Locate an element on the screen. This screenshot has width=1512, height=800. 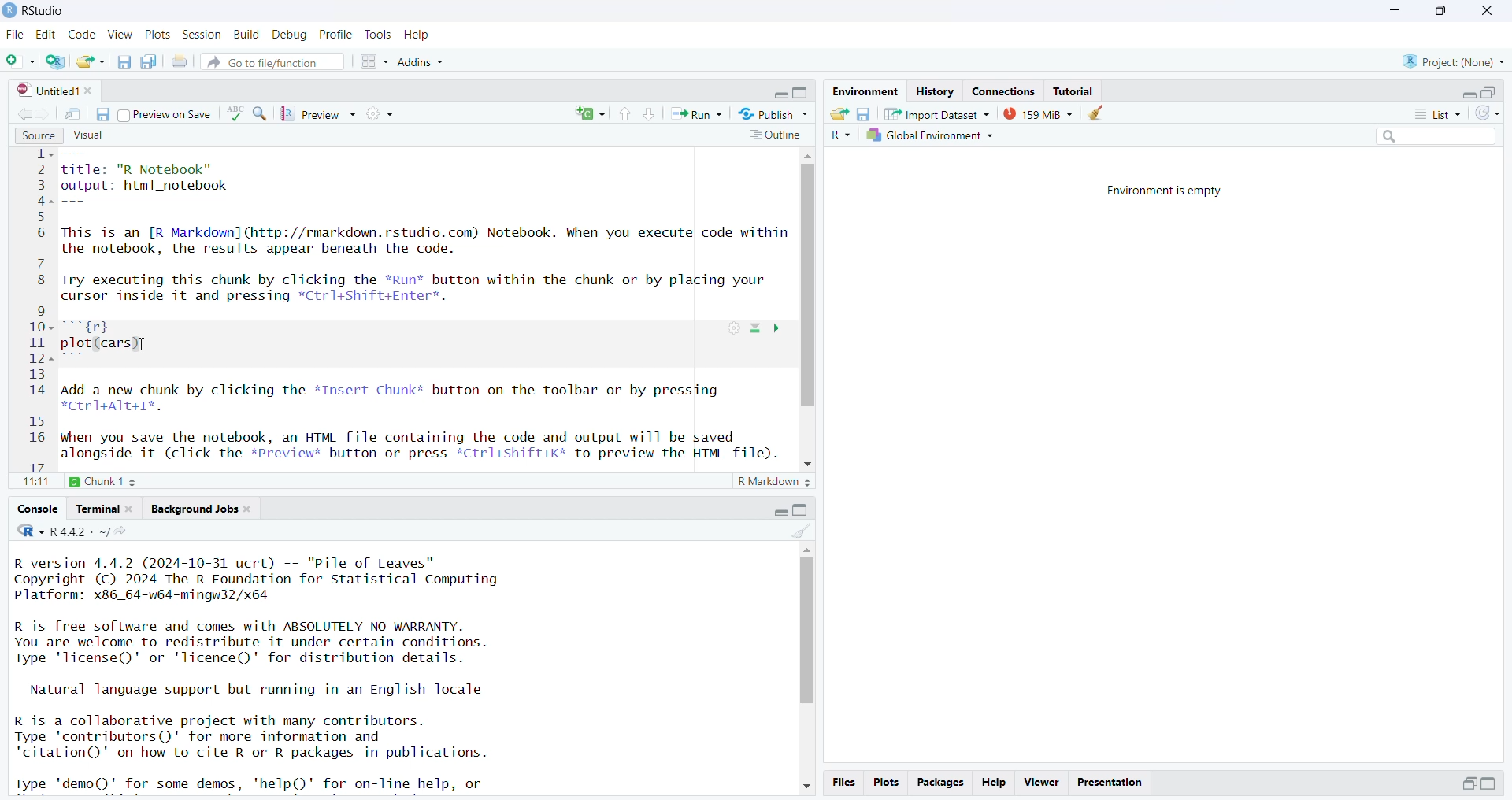
minimize is located at coordinates (1395, 12).